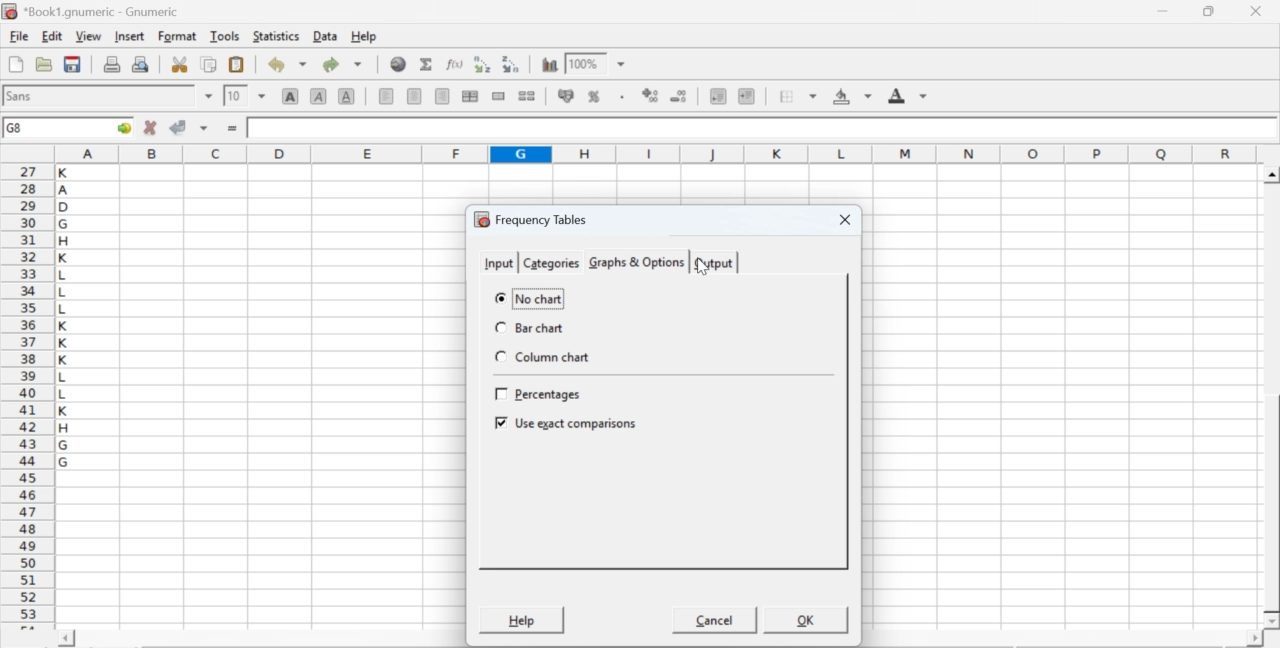 Image resolution: width=1280 pixels, height=648 pixels. What do you see at coordinates (1254, 11) in the screenshot?
I see `close` at bounding box center [1254, 11].